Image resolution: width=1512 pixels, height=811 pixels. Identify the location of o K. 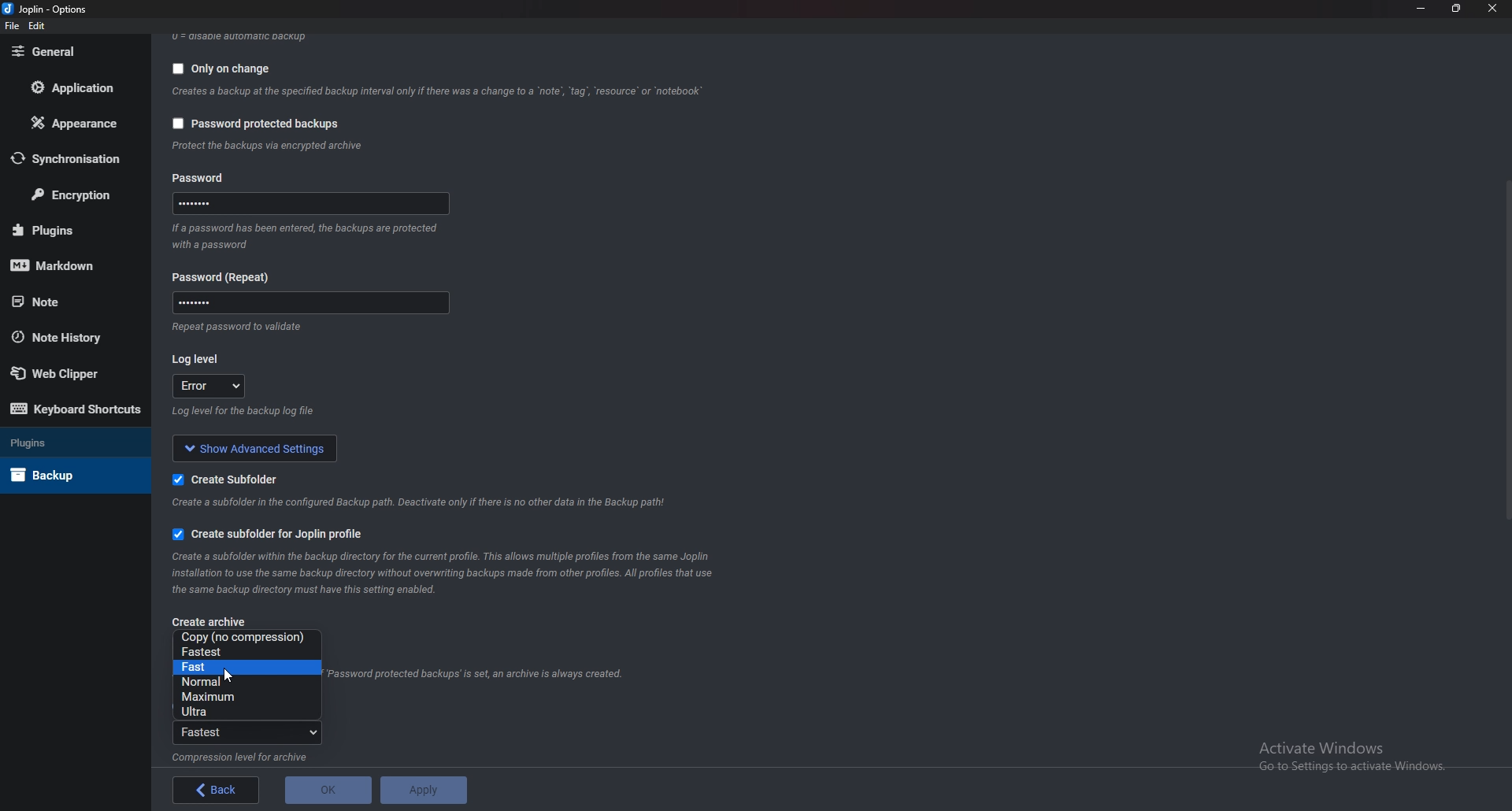
(329, 789).